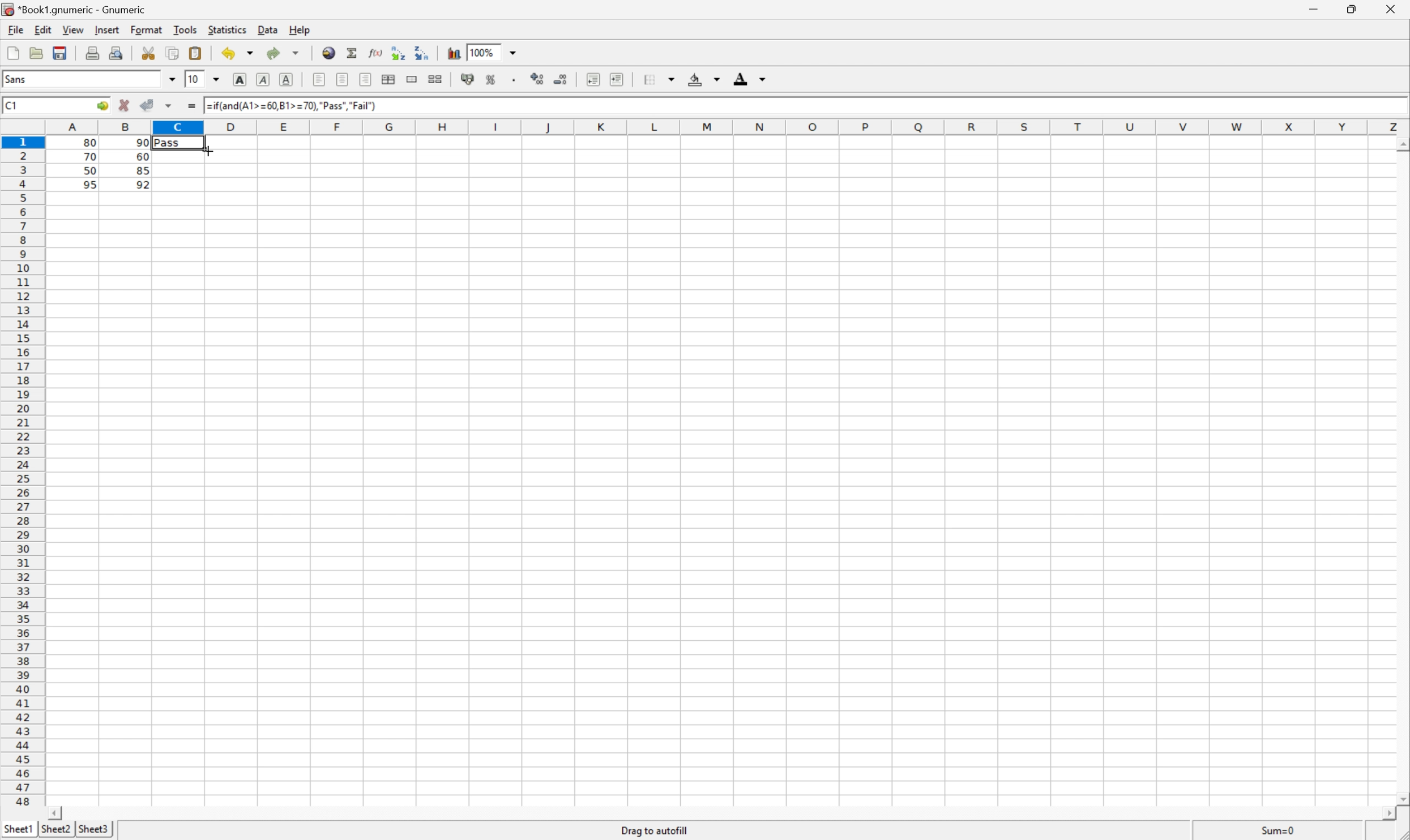 The width and height of the screenshot is (1410, 840). Describe the element at coordinates (411, 79) in the screenshot. I see `Merge ranges of cells` at that location.